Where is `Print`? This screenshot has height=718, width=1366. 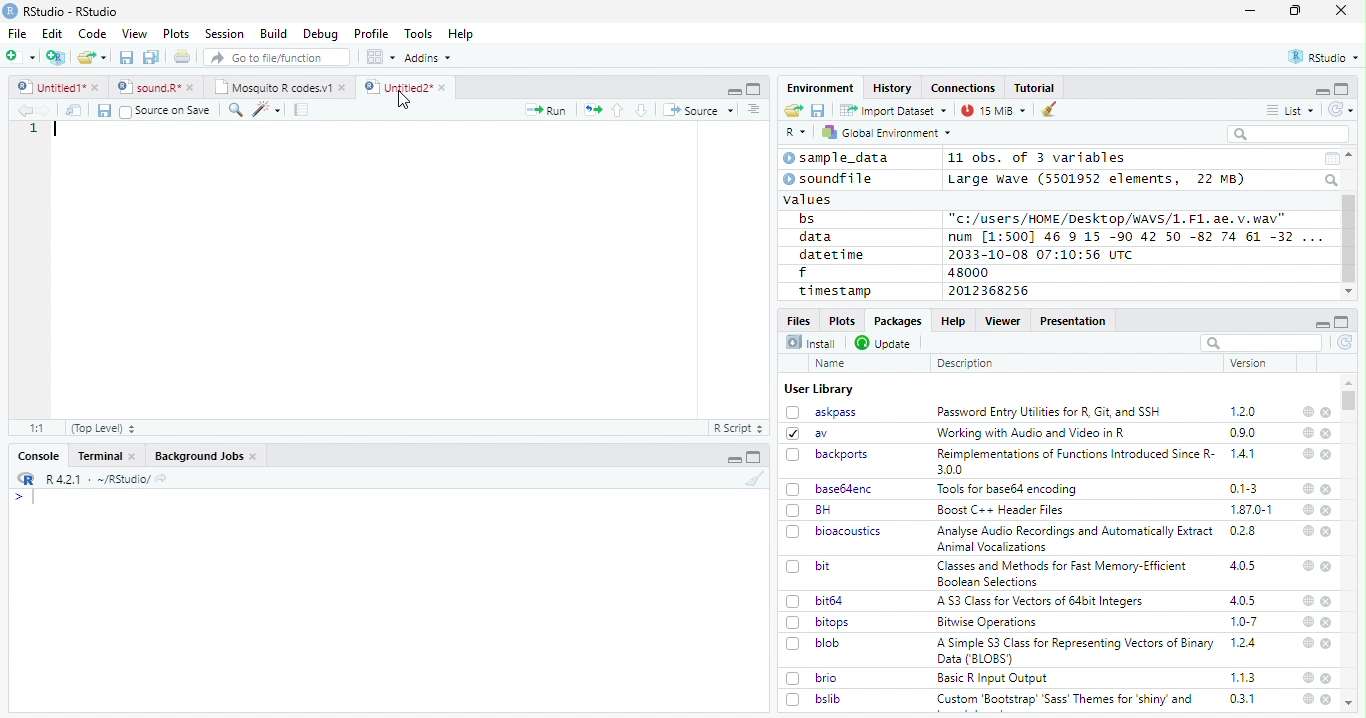
Print is located at coordinates (183, 56).